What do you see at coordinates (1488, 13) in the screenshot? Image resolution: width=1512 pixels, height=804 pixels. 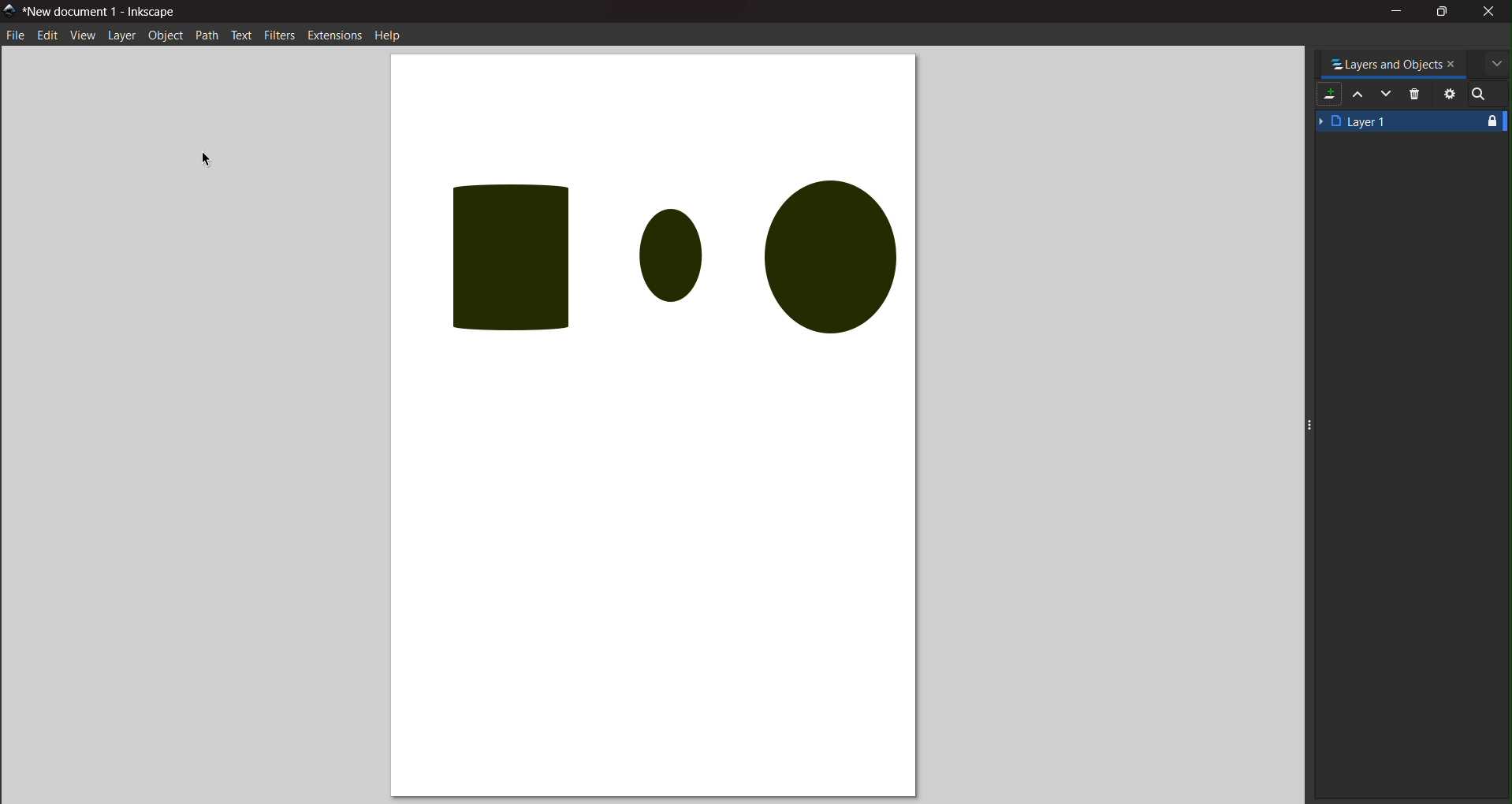 I see `close` at bounding box center [1488, 13].